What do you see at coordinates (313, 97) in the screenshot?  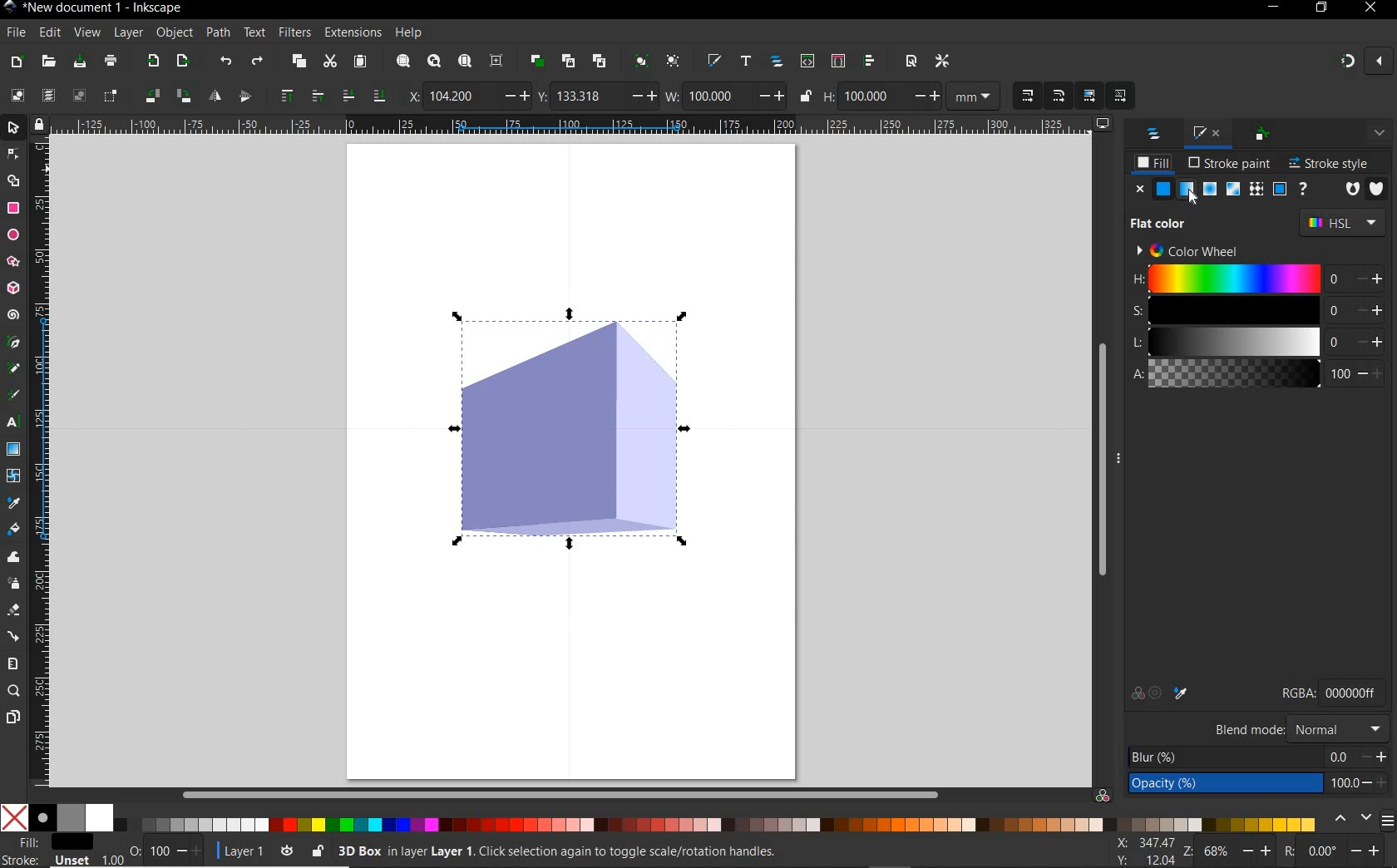 I see `RAISE SELECTION` at bounding box center [313, 97].